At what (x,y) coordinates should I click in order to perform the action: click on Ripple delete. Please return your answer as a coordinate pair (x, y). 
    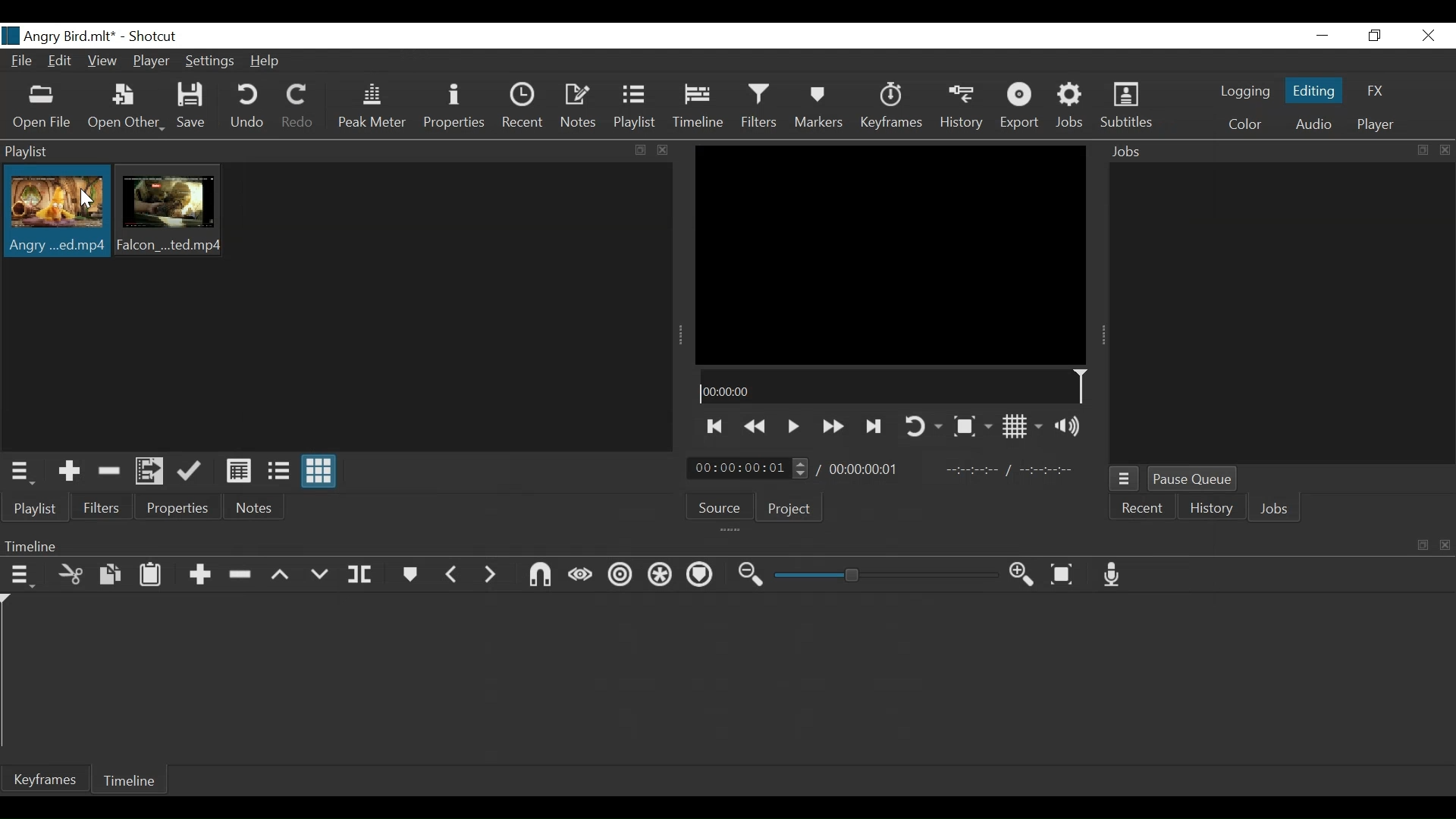
    Looking at the image, I should click on (242, 576).